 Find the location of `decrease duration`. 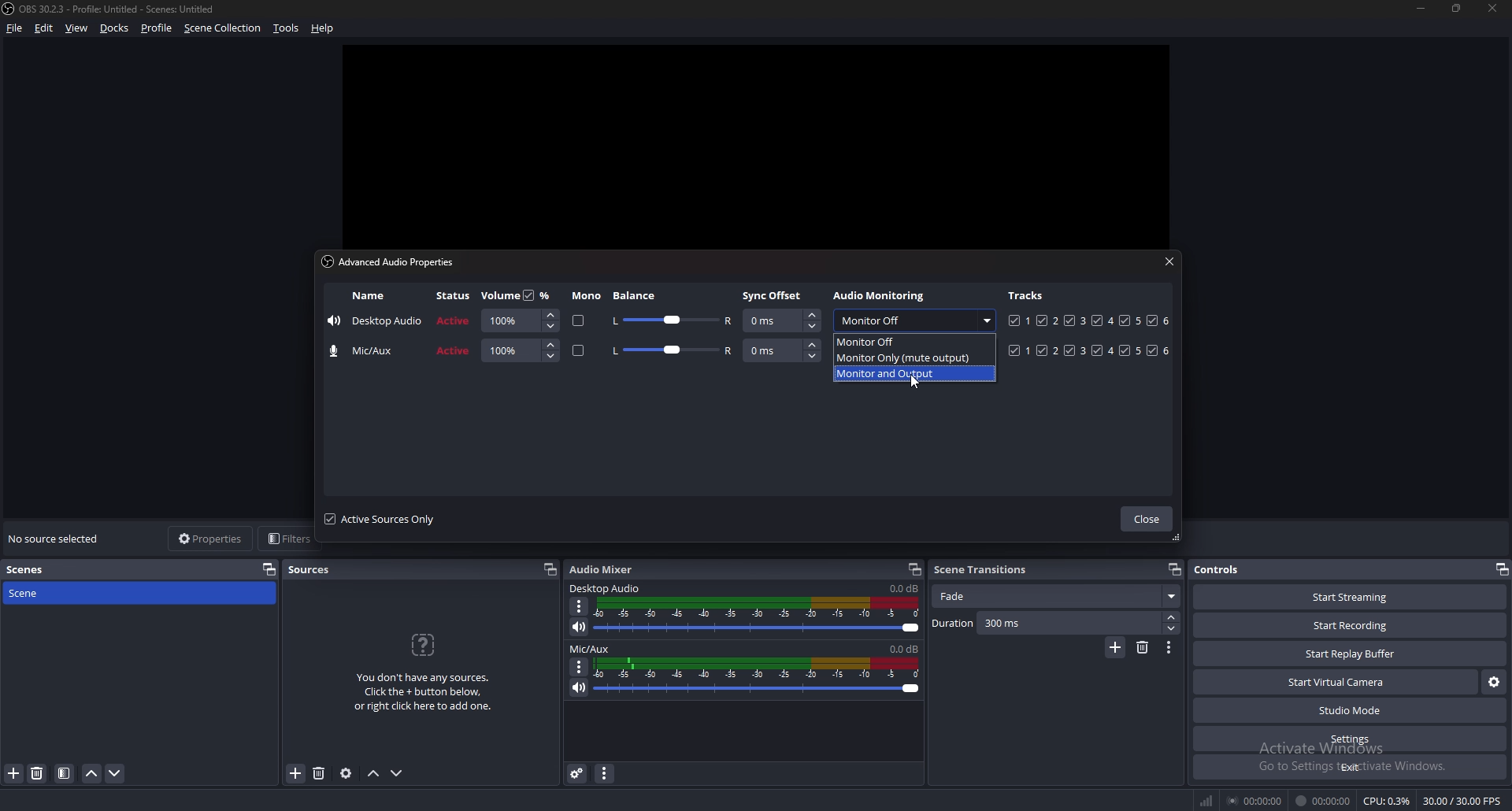

decrease duration is located at coordinates (1173, 628).